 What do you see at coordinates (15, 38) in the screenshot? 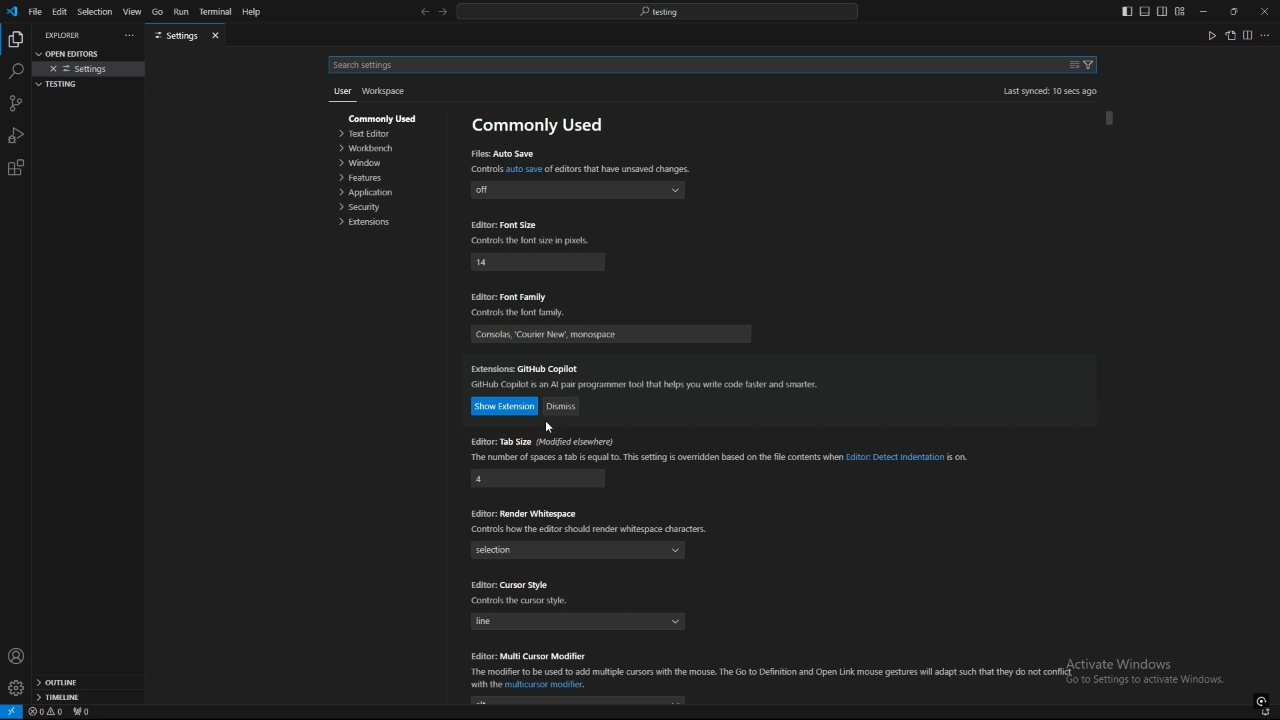
I see `explore` at bounding box center [15, 38].